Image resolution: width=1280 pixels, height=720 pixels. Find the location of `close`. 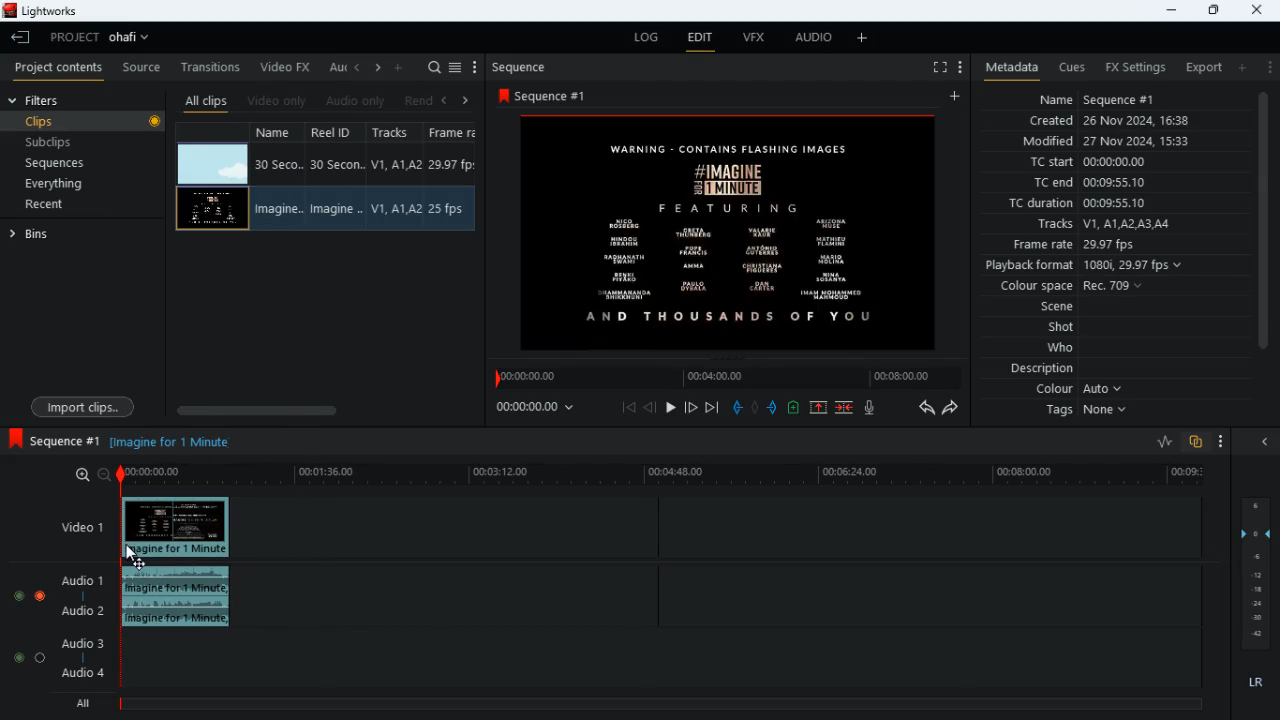

close is located at coordinates (1258, 8).